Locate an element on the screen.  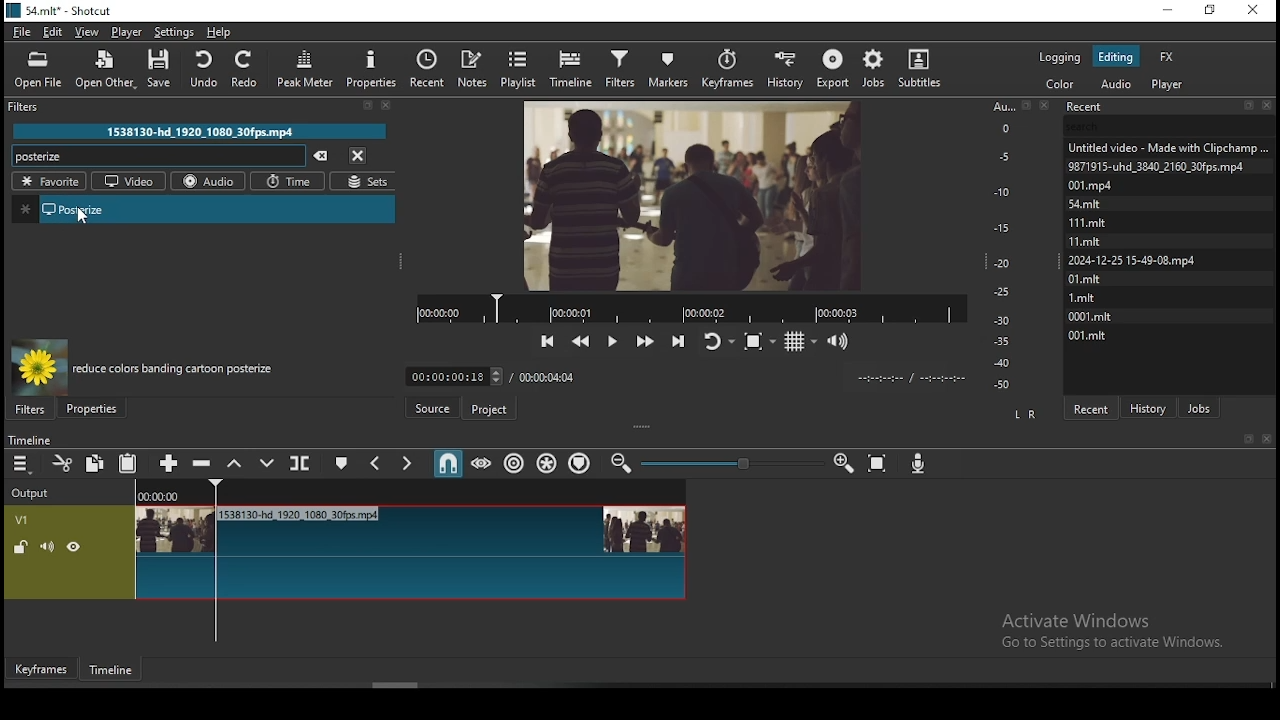
 is located at coordinates (435, 407).